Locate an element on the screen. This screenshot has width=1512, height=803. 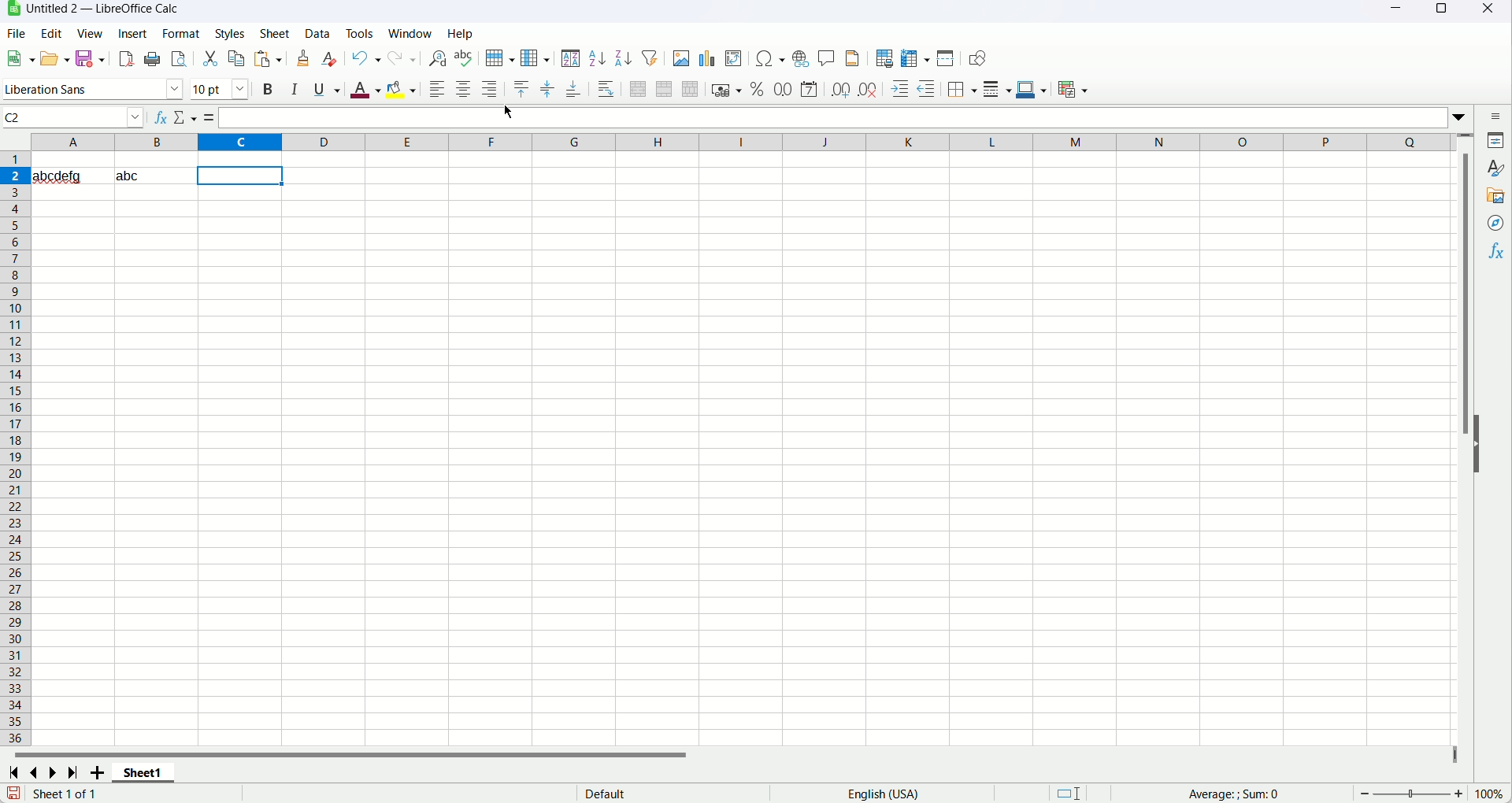
split window is located at coordinates (946, 57).